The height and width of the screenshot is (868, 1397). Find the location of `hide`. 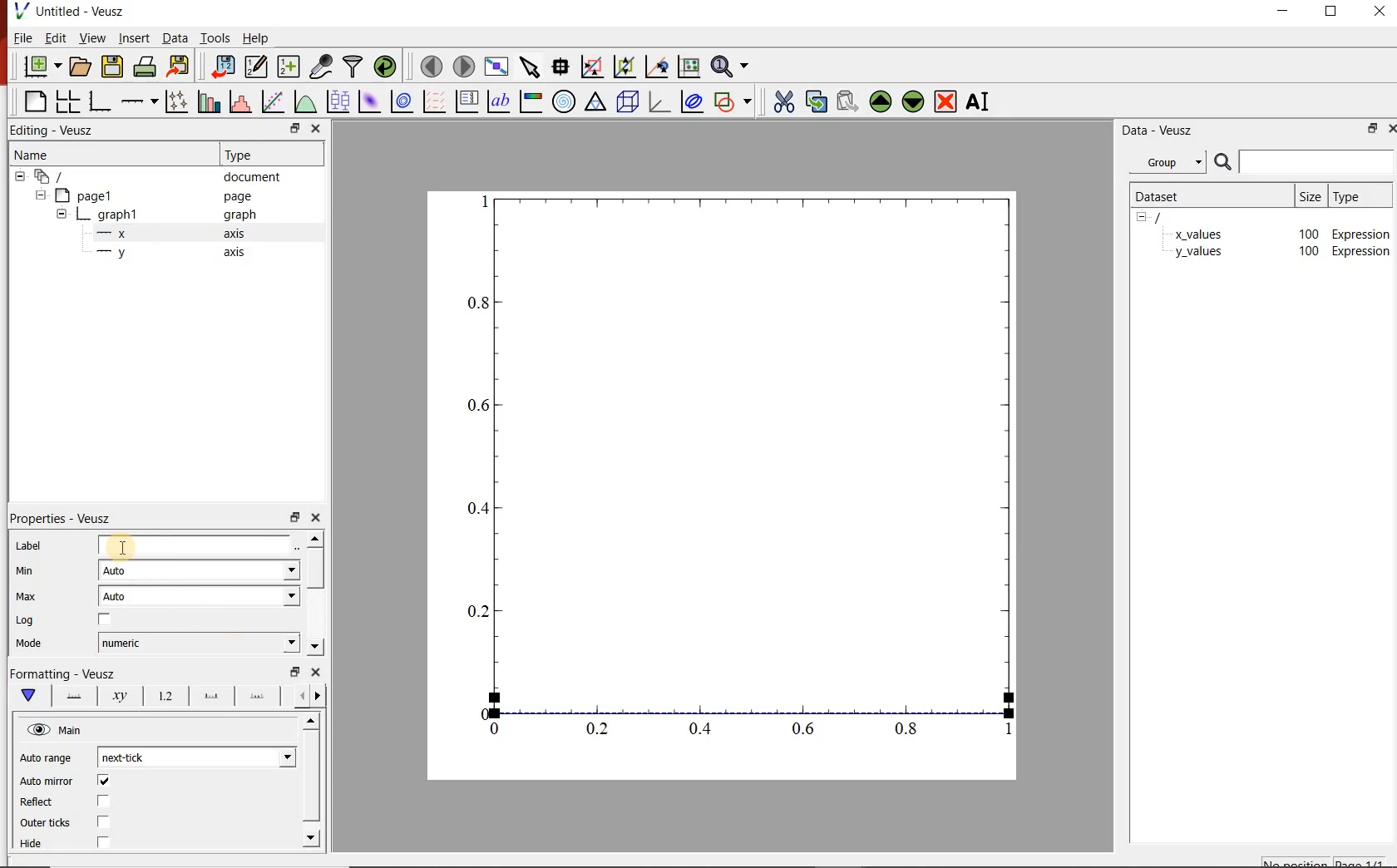

hide is located at coordinates (20, 176).